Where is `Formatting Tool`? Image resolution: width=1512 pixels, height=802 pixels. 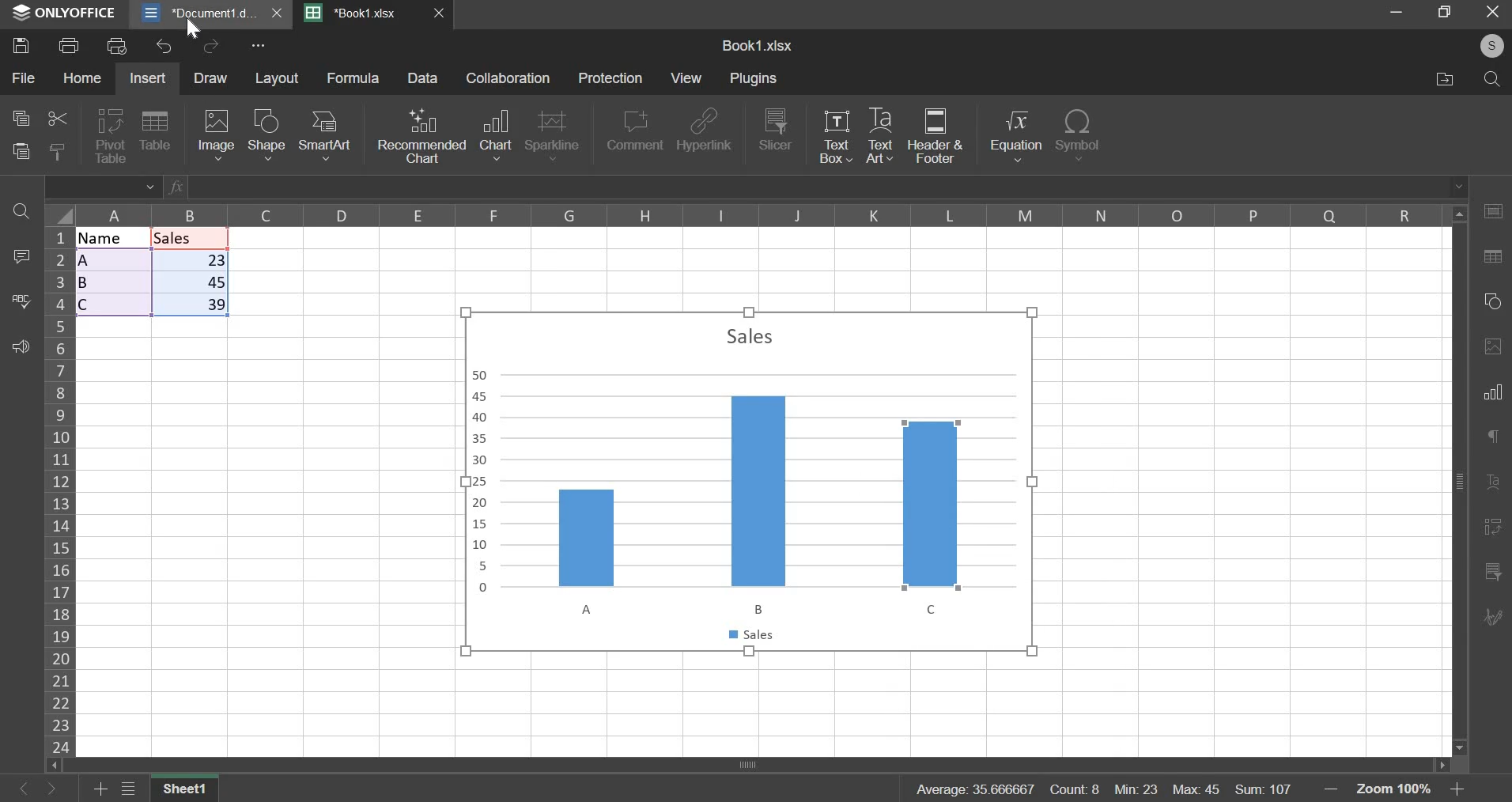
Formatting Tool is located at coordinates (1492, 481).